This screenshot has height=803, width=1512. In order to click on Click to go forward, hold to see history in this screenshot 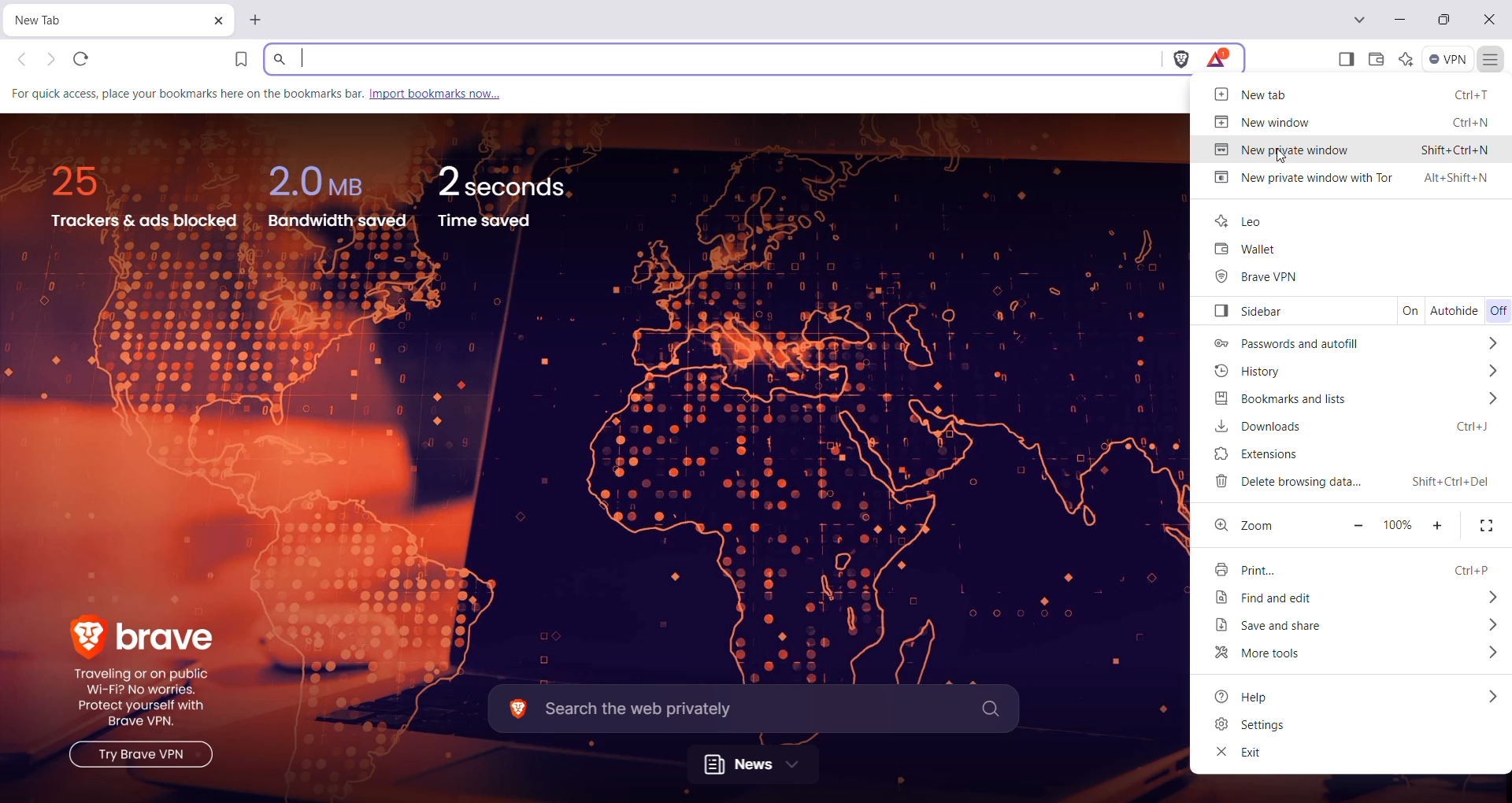, I will do `click(50, 60)`.